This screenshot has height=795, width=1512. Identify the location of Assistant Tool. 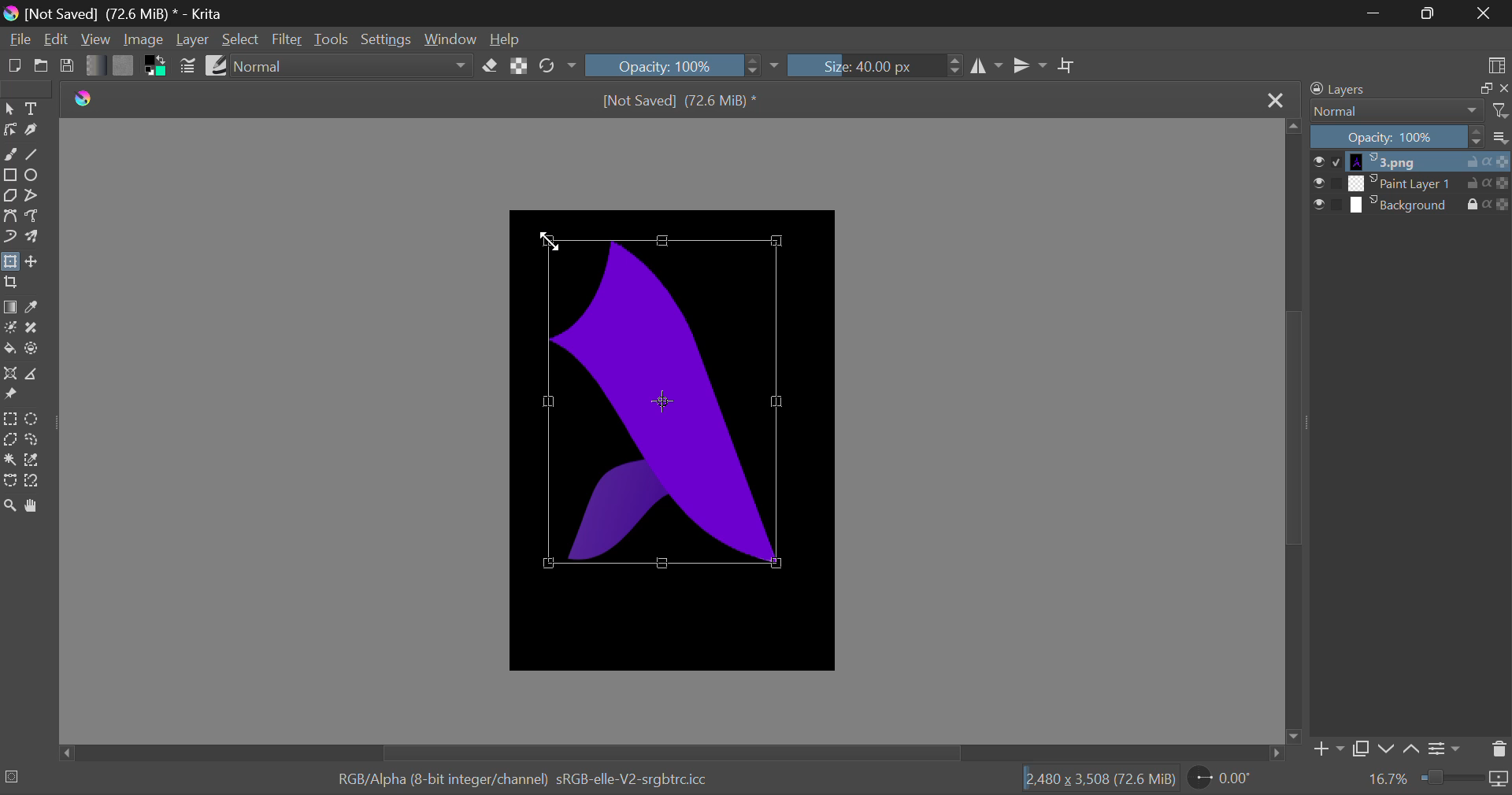
(9, 374).